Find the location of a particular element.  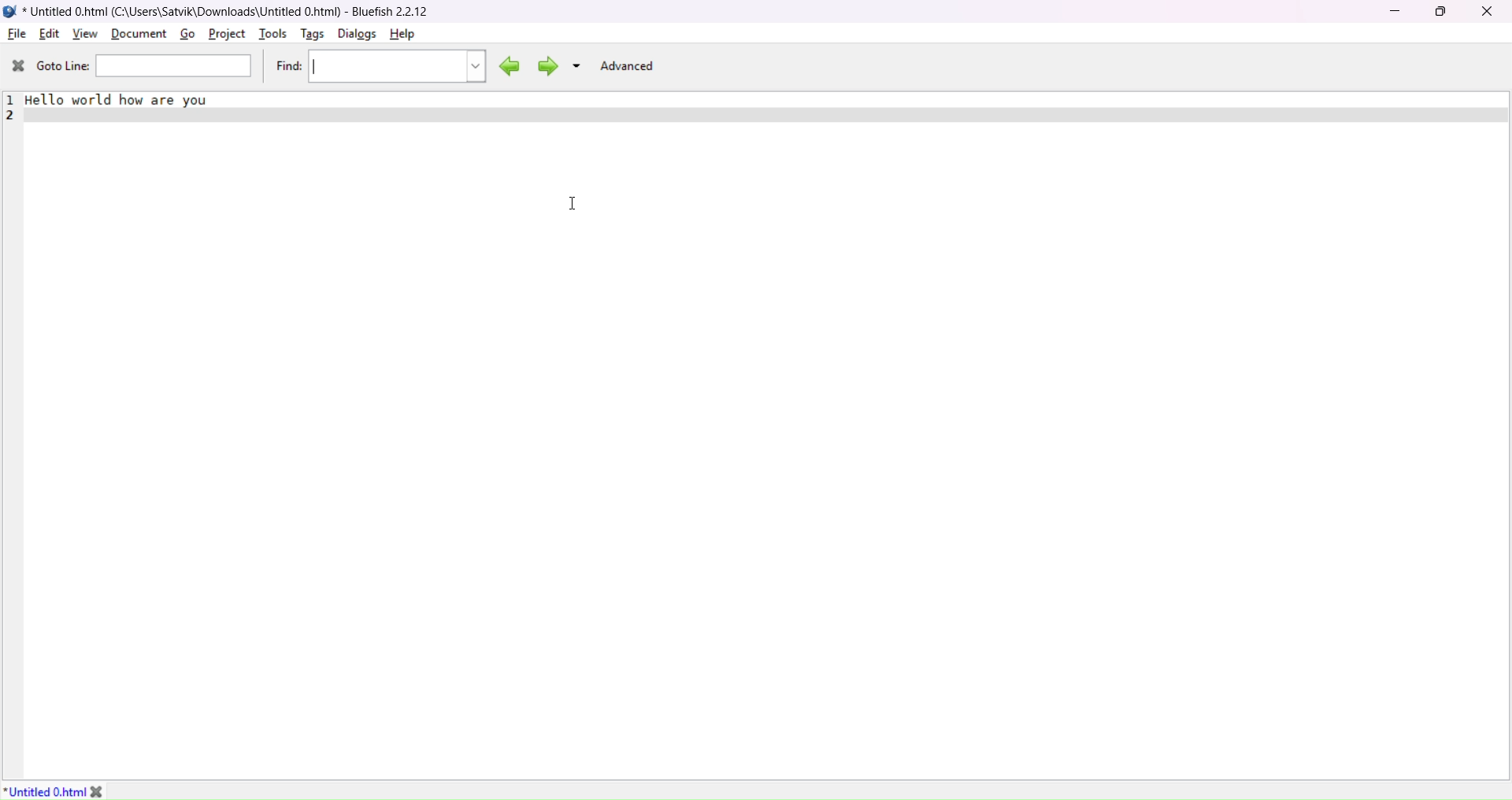

minimize is located at coordinates (1393, 12).